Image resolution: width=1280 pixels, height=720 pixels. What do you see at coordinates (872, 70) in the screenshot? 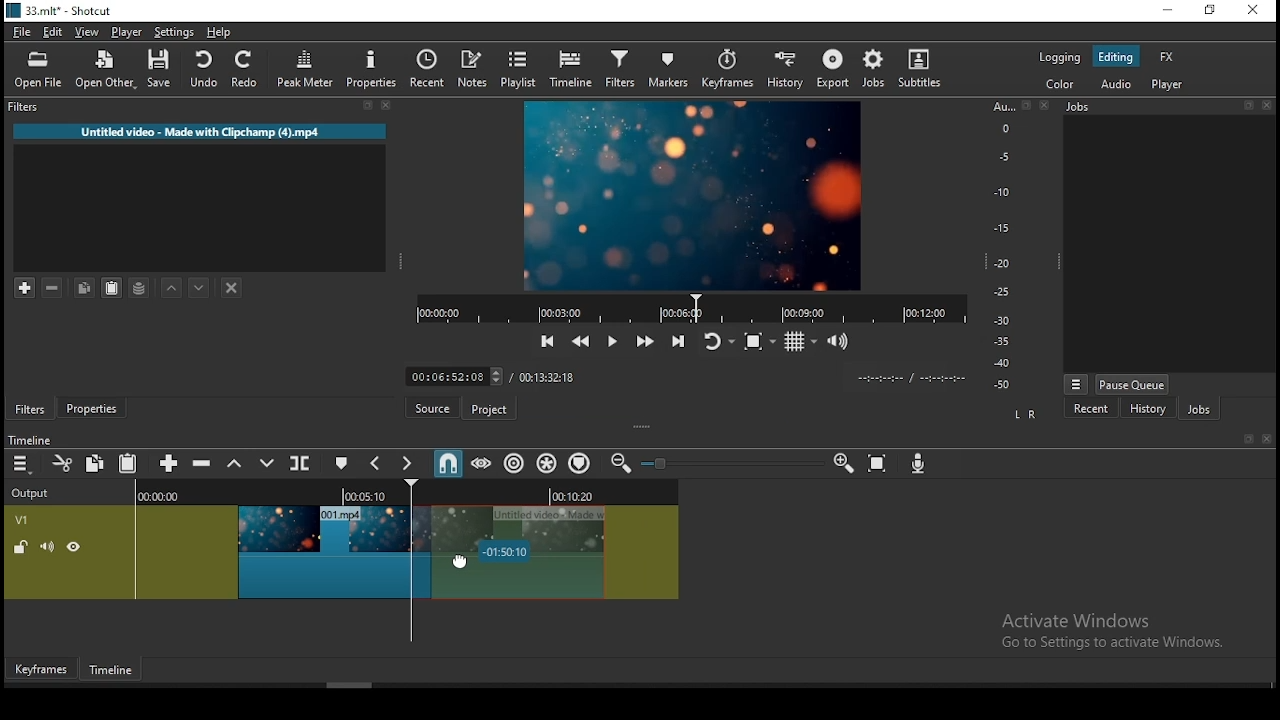
I see `jobs` at bounding box center [872, 70].